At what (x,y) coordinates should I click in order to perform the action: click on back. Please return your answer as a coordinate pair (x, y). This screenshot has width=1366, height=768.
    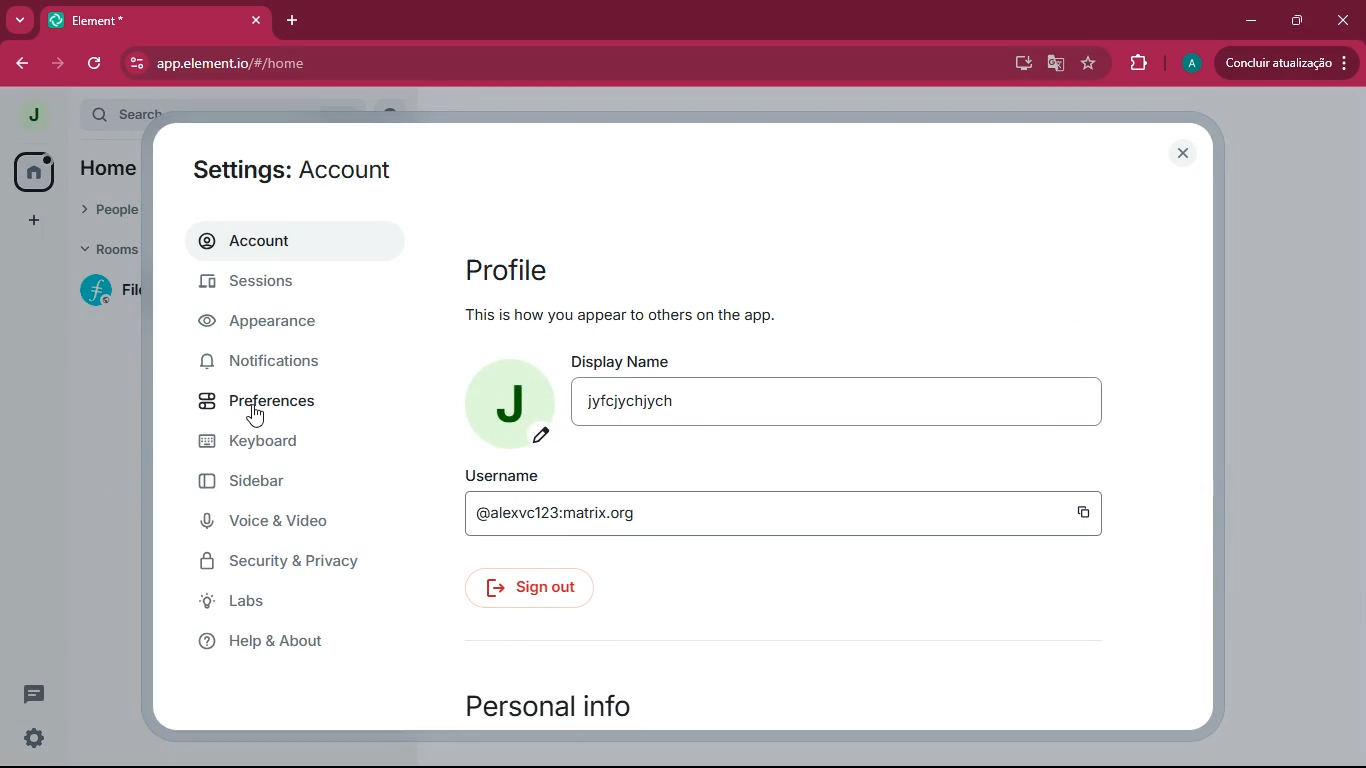
    Looking at the image, I should click on (19, 64).